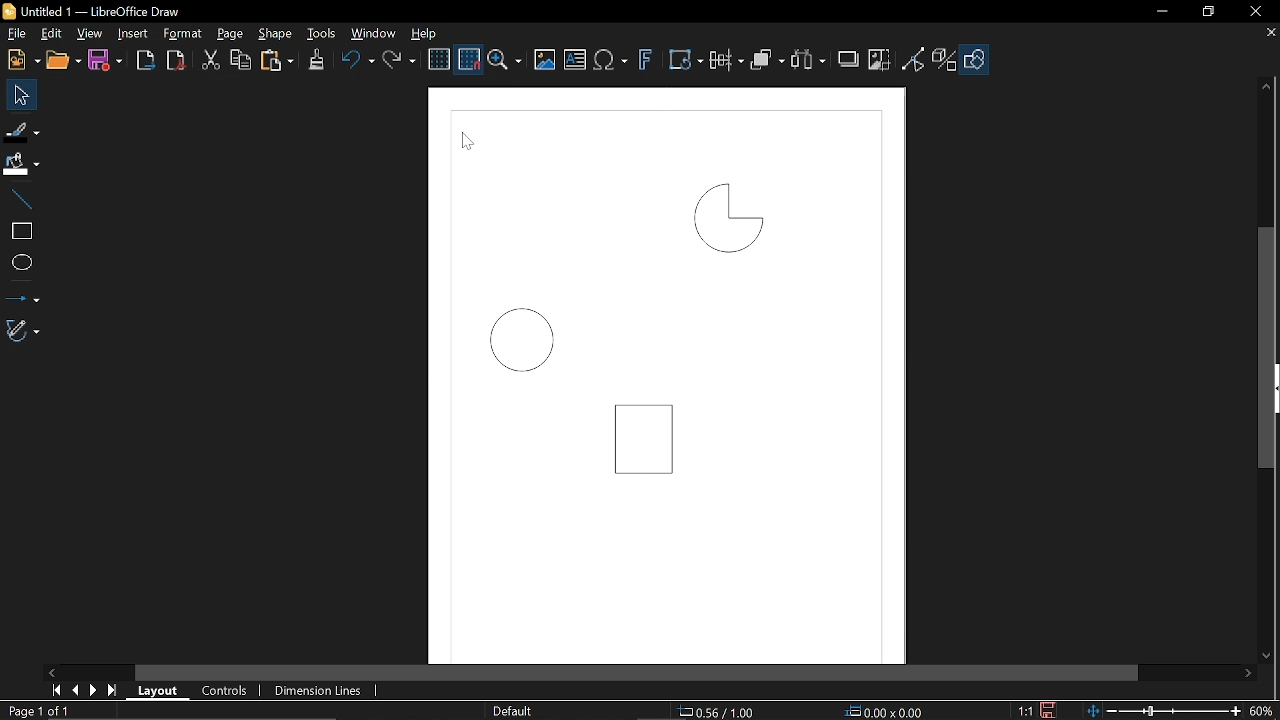 The width and height of the screenshot is (1280, 720). What do you see at coordinates (321, 34) in the screenshot?
I see `Tools` at bounding box center [321, 34].